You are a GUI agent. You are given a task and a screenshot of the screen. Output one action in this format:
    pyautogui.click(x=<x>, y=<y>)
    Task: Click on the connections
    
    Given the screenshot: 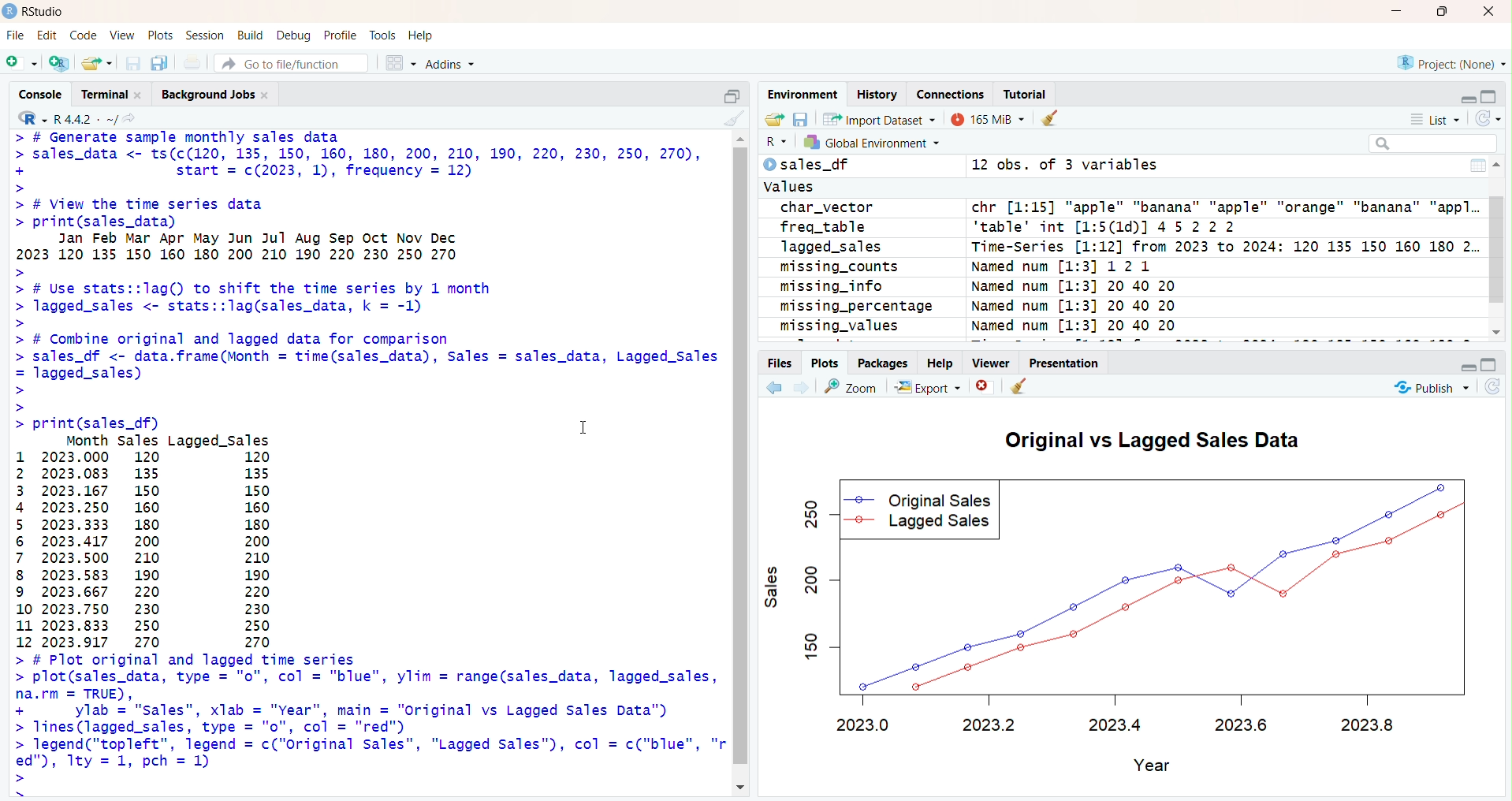 What is the action you would take?
    pyautogui.click(x=952, y=95)
    